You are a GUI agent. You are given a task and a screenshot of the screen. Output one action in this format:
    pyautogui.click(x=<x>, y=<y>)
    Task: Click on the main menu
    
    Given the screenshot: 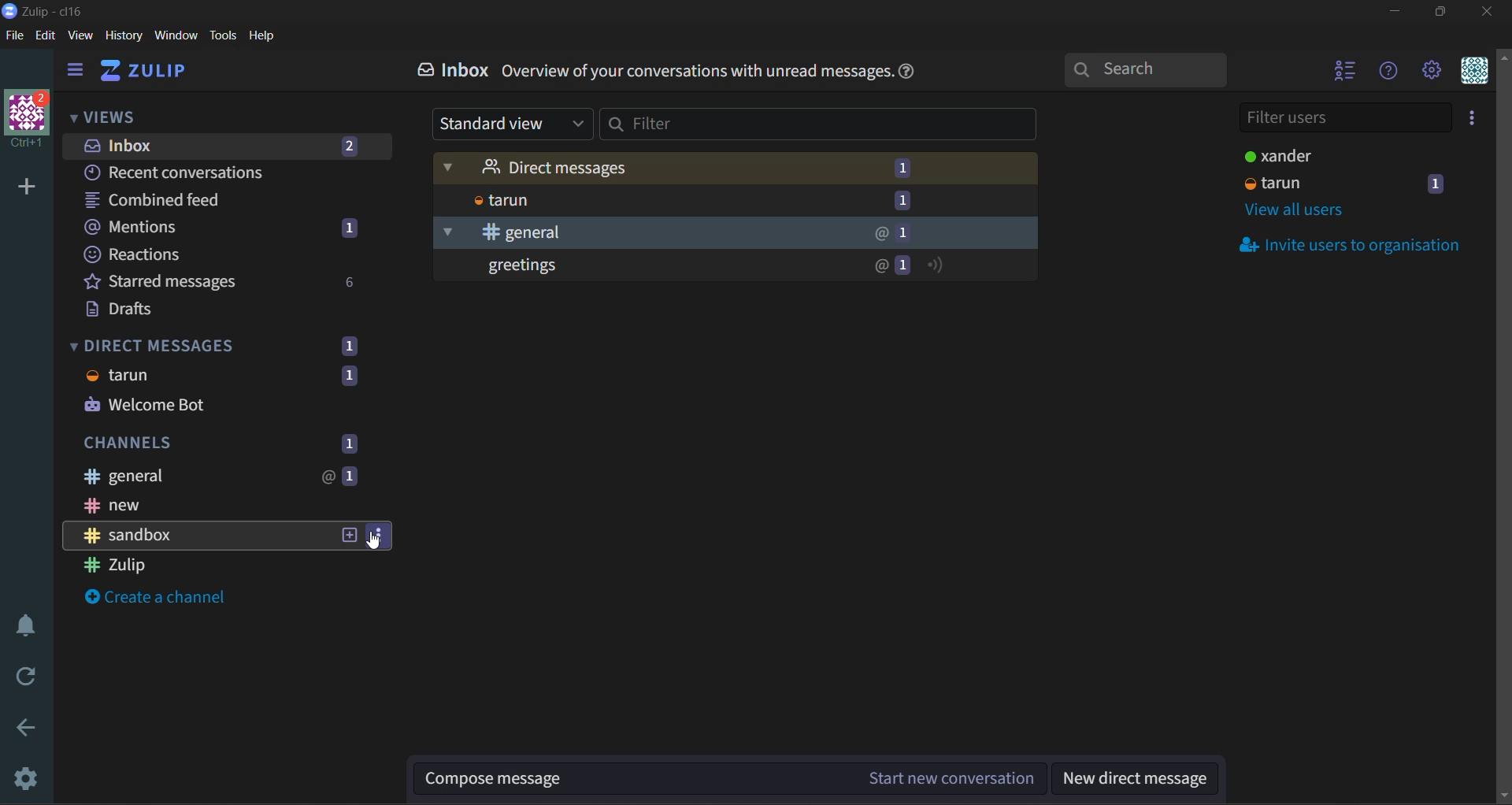 What is the action you would take?
    pyautogui.click(x=1429, y=72)
    